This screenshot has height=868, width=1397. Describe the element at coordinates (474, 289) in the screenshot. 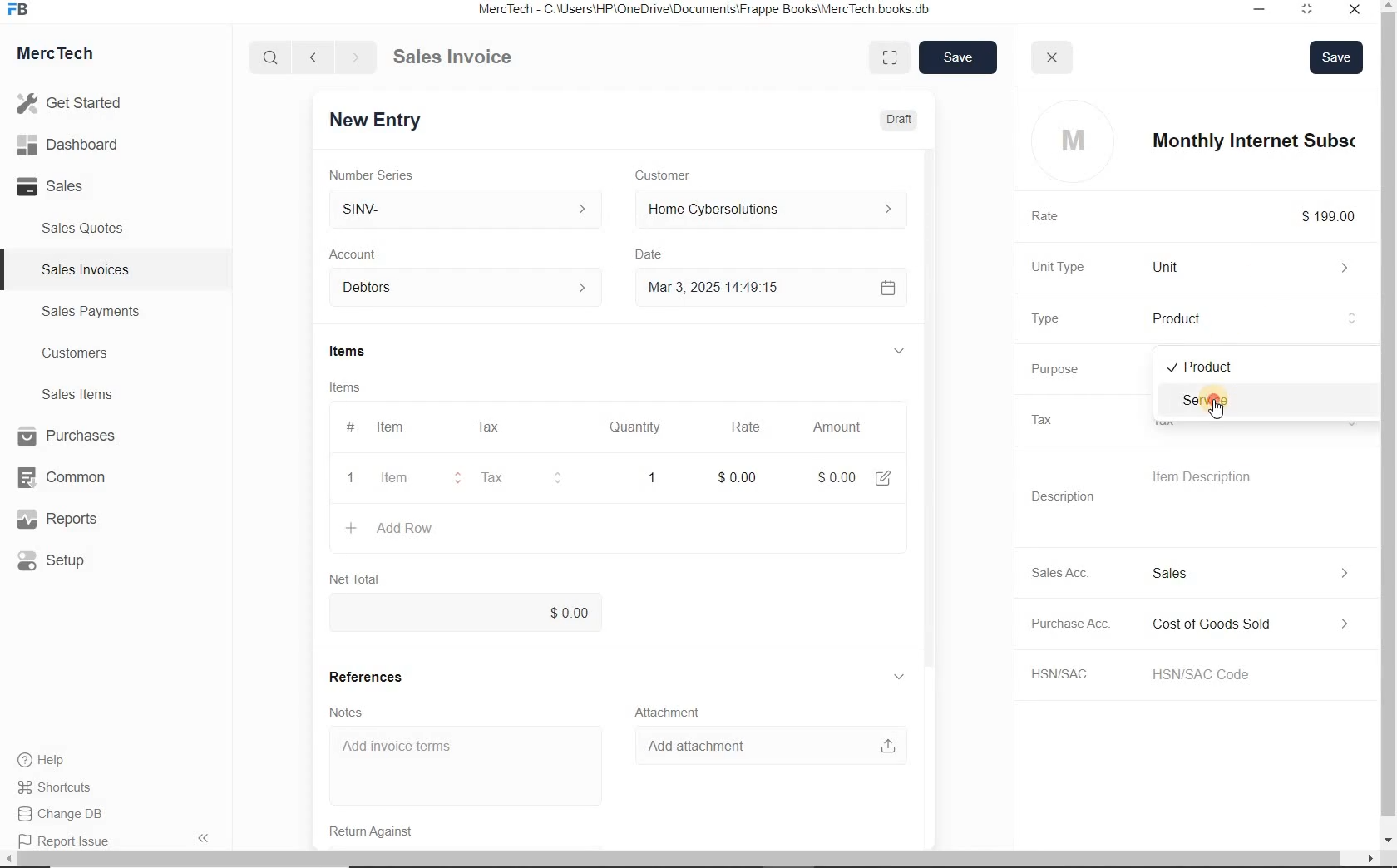

I see `Account dropdown` at that location.